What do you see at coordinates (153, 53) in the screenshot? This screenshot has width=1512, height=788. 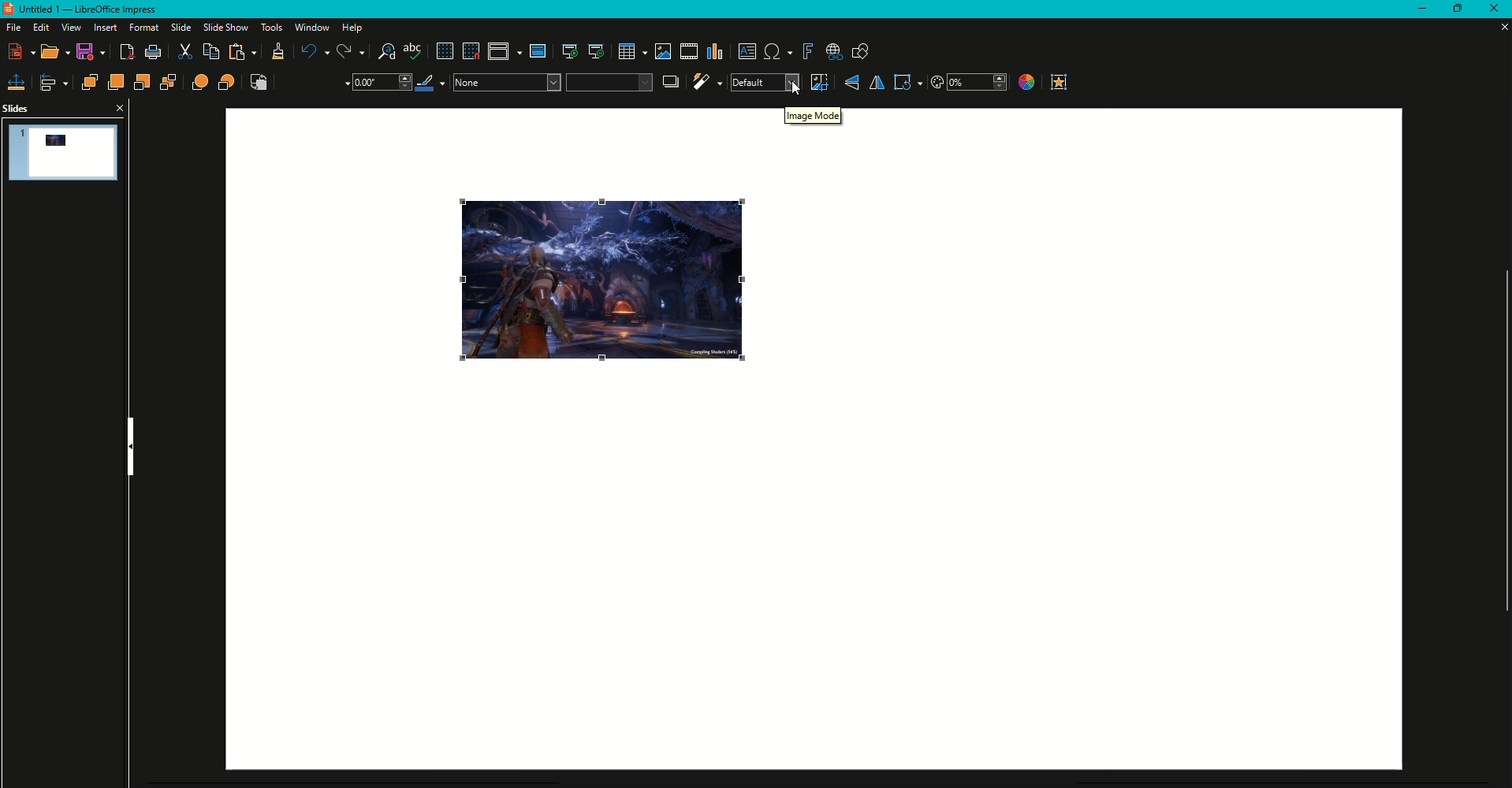 I see `Print` at bounding box center [153, 53].